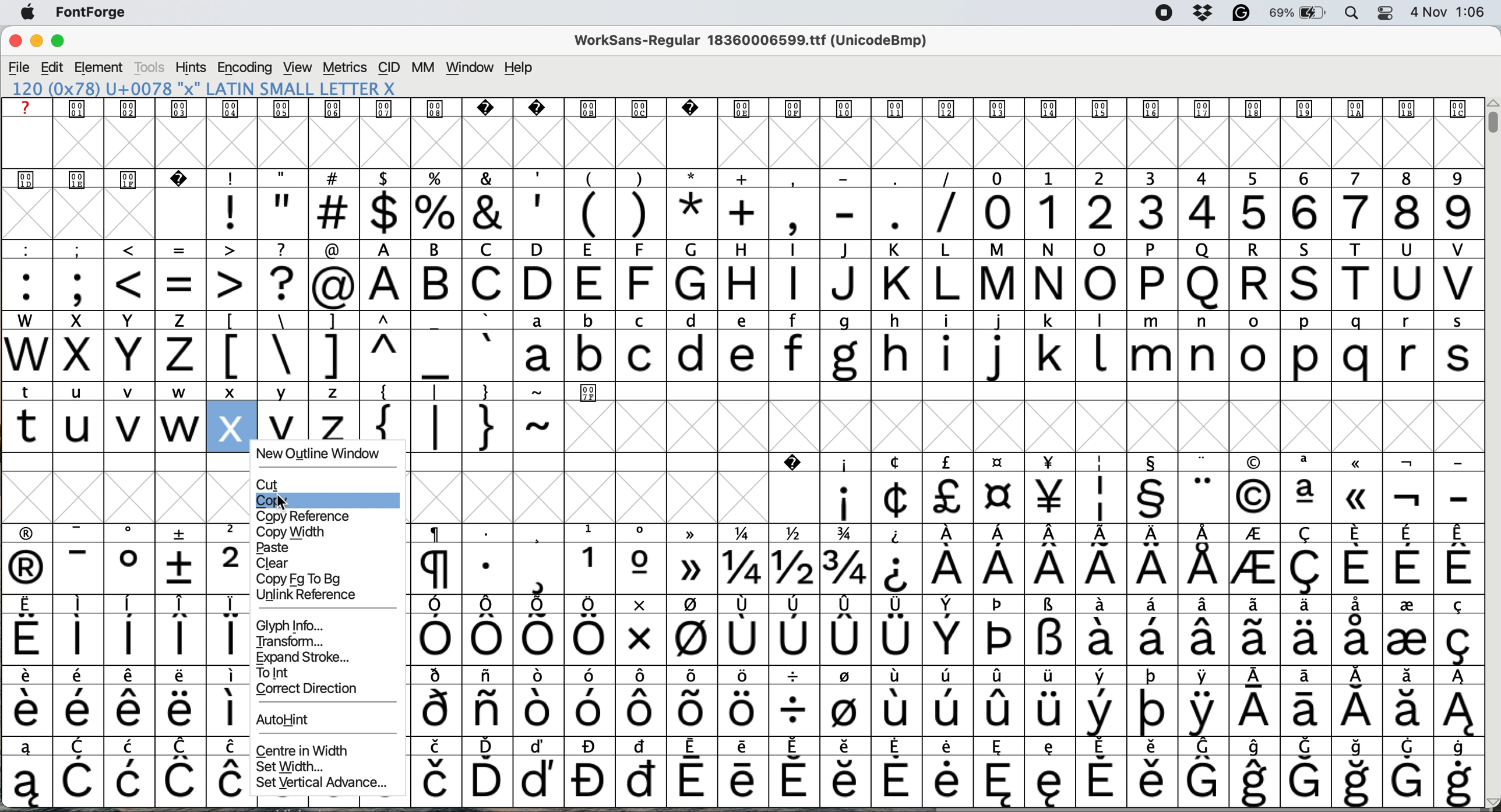  What do you see at coordinates (918, 286) in the screenshot?
I see `capital letters a to v` at bounding box center [918, 286].